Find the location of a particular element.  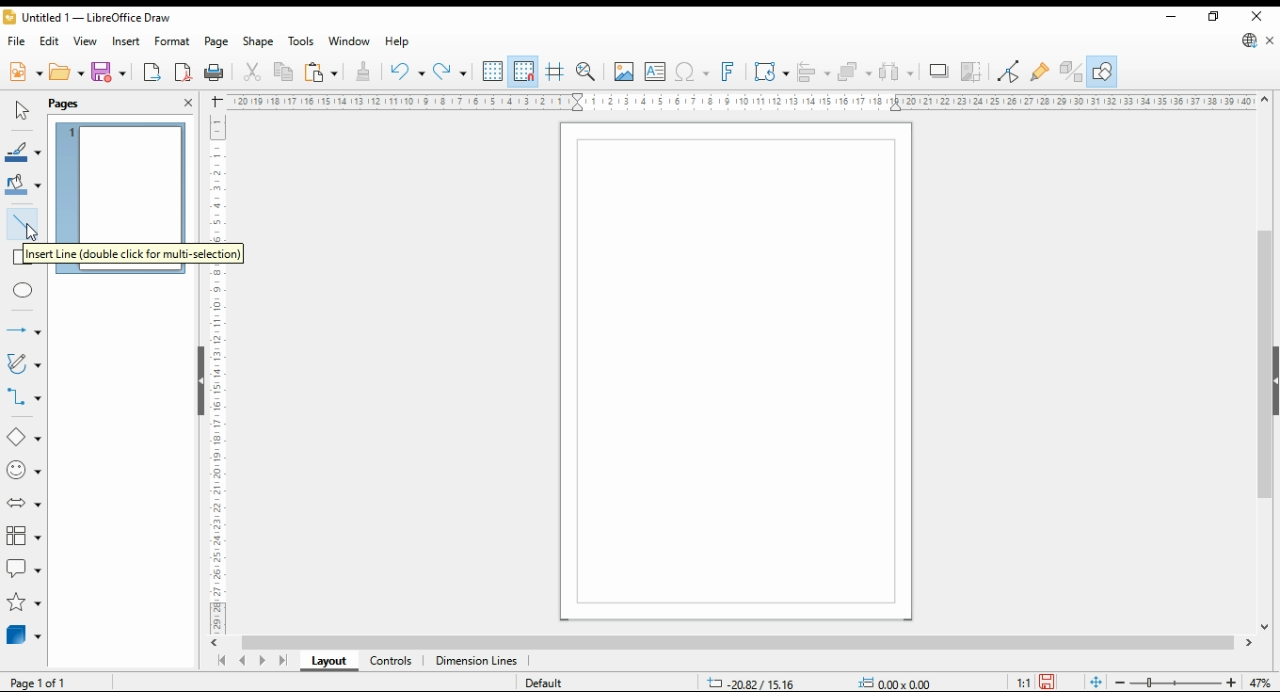

insert text box is located at coordinates (655, 72).